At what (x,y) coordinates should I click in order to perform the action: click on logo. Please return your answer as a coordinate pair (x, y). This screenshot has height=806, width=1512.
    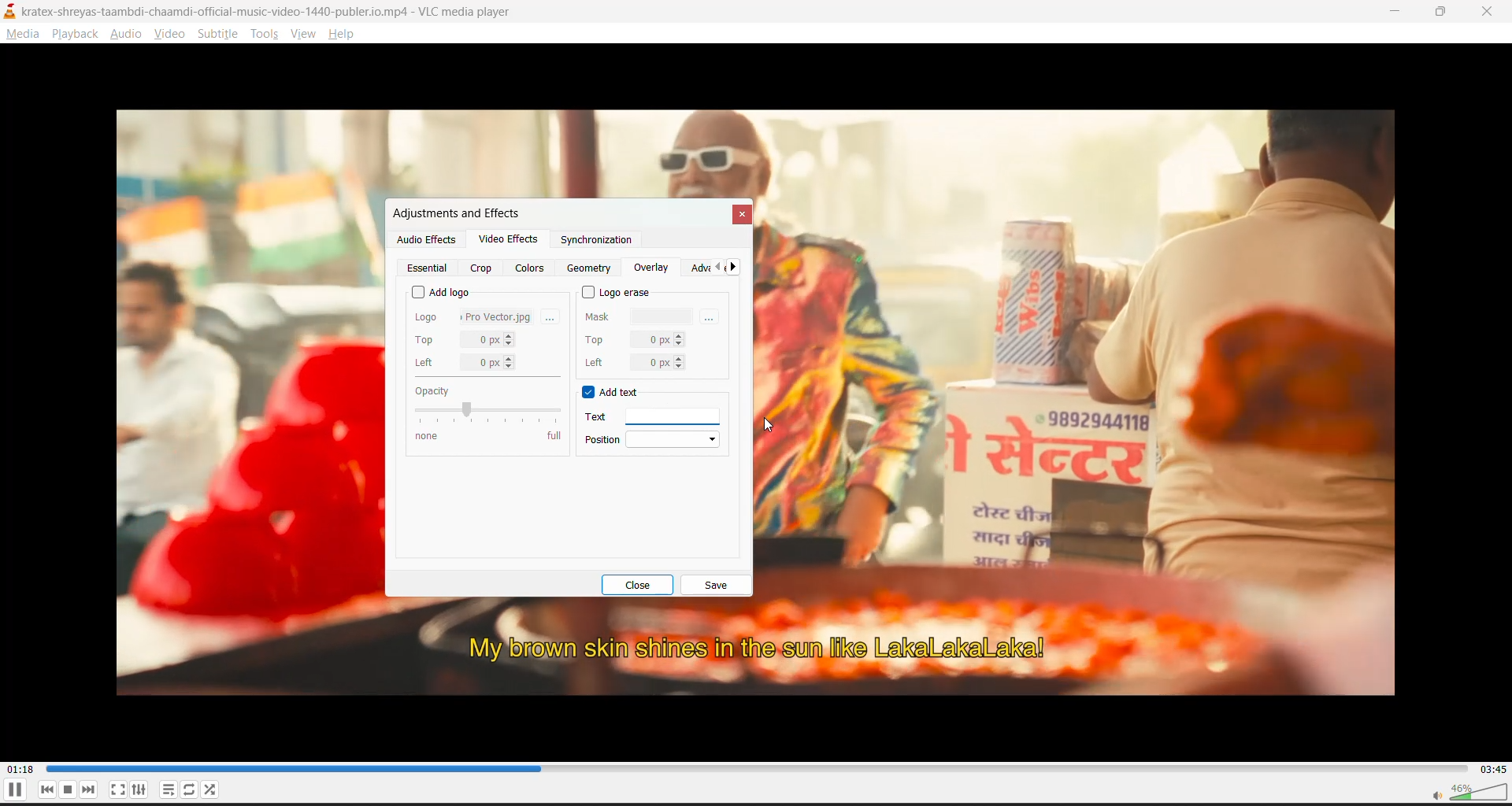
    Looking at the image, I should click on (474, 315).